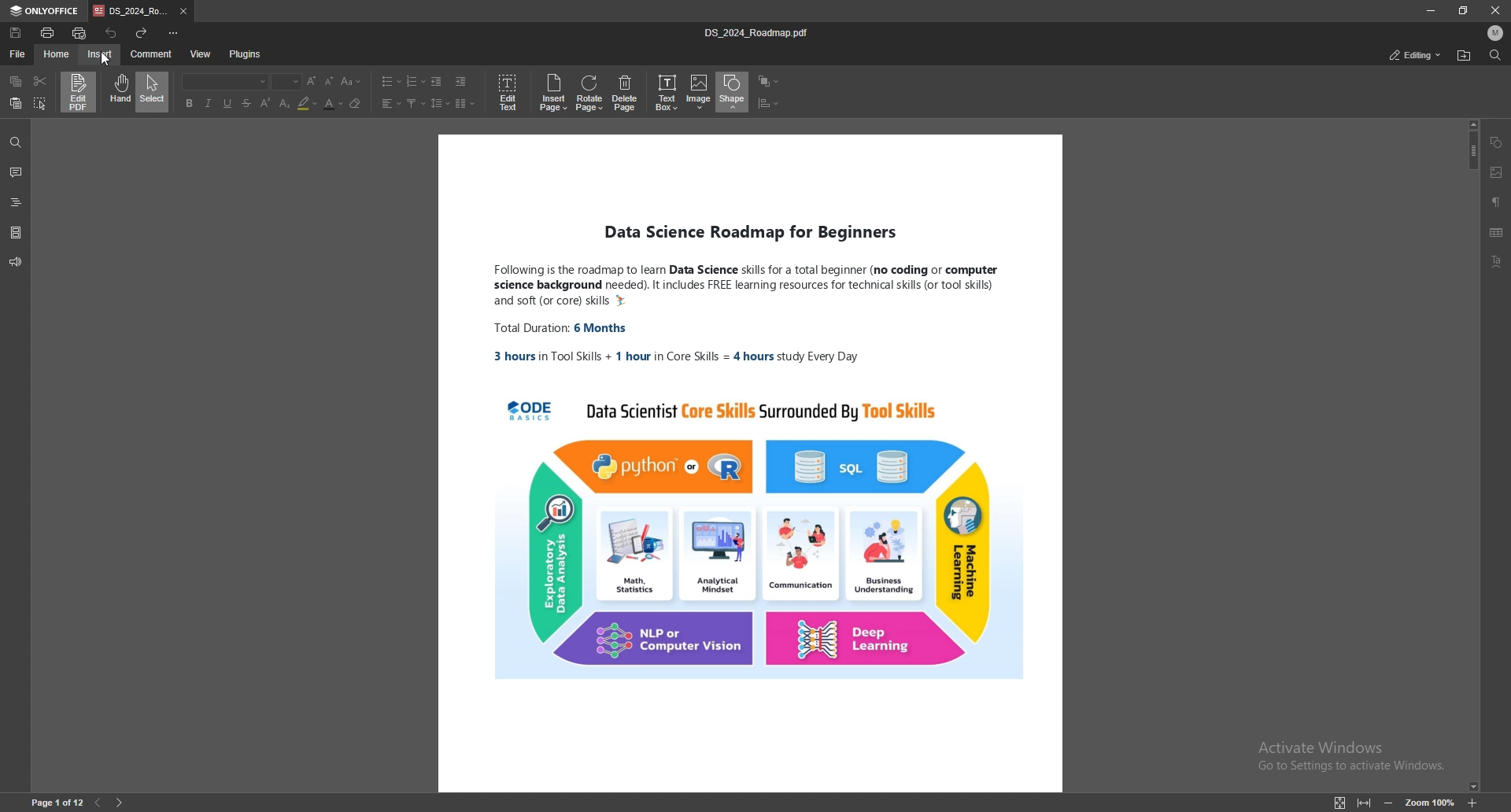 The height and width of the screenshot is (812, 1511). Describe the element at coordinates (767, 81) in the screenshot. I see `bring forward` at that location.